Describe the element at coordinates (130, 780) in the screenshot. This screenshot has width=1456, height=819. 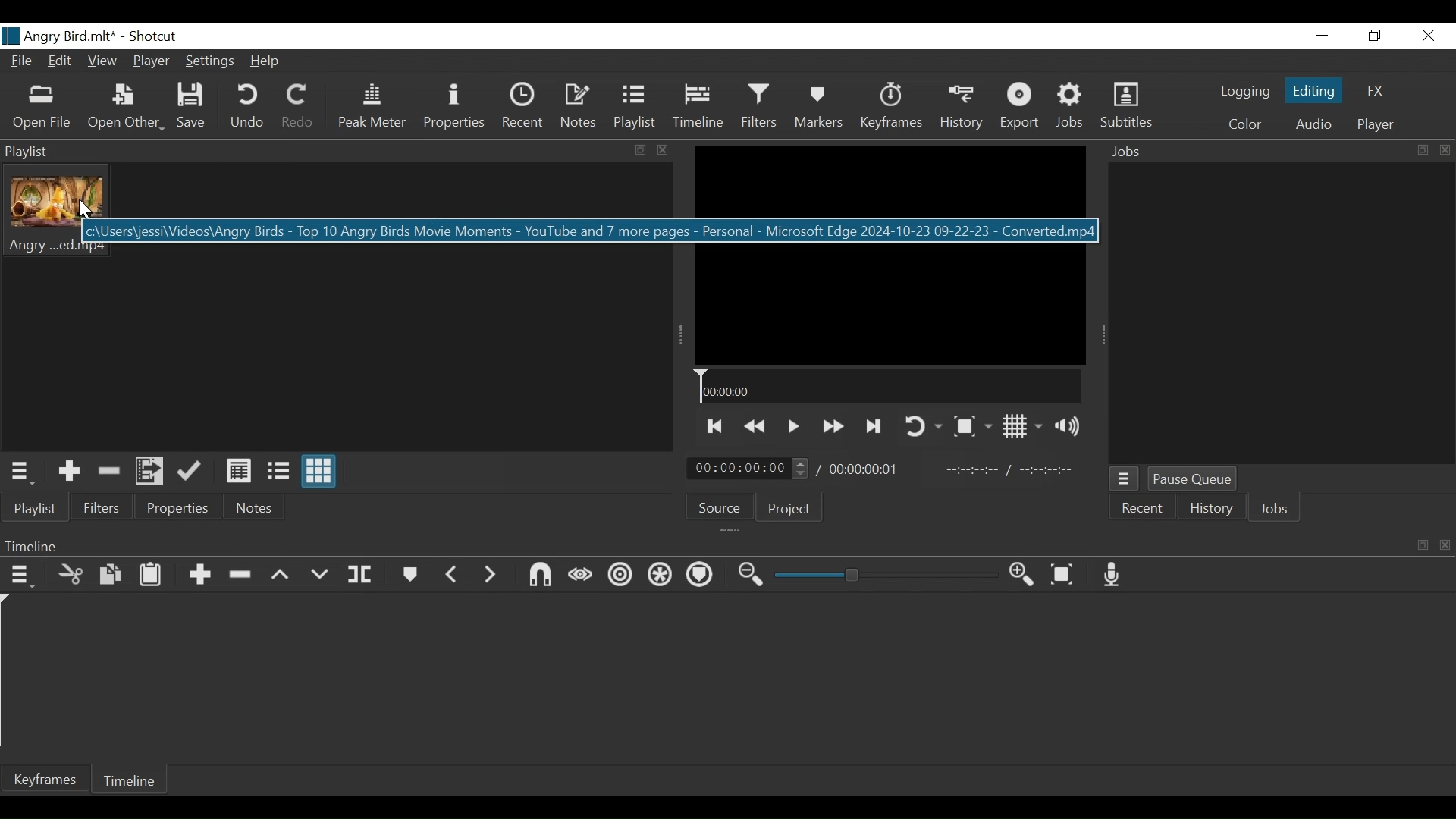
I see `Timeline` at that location.